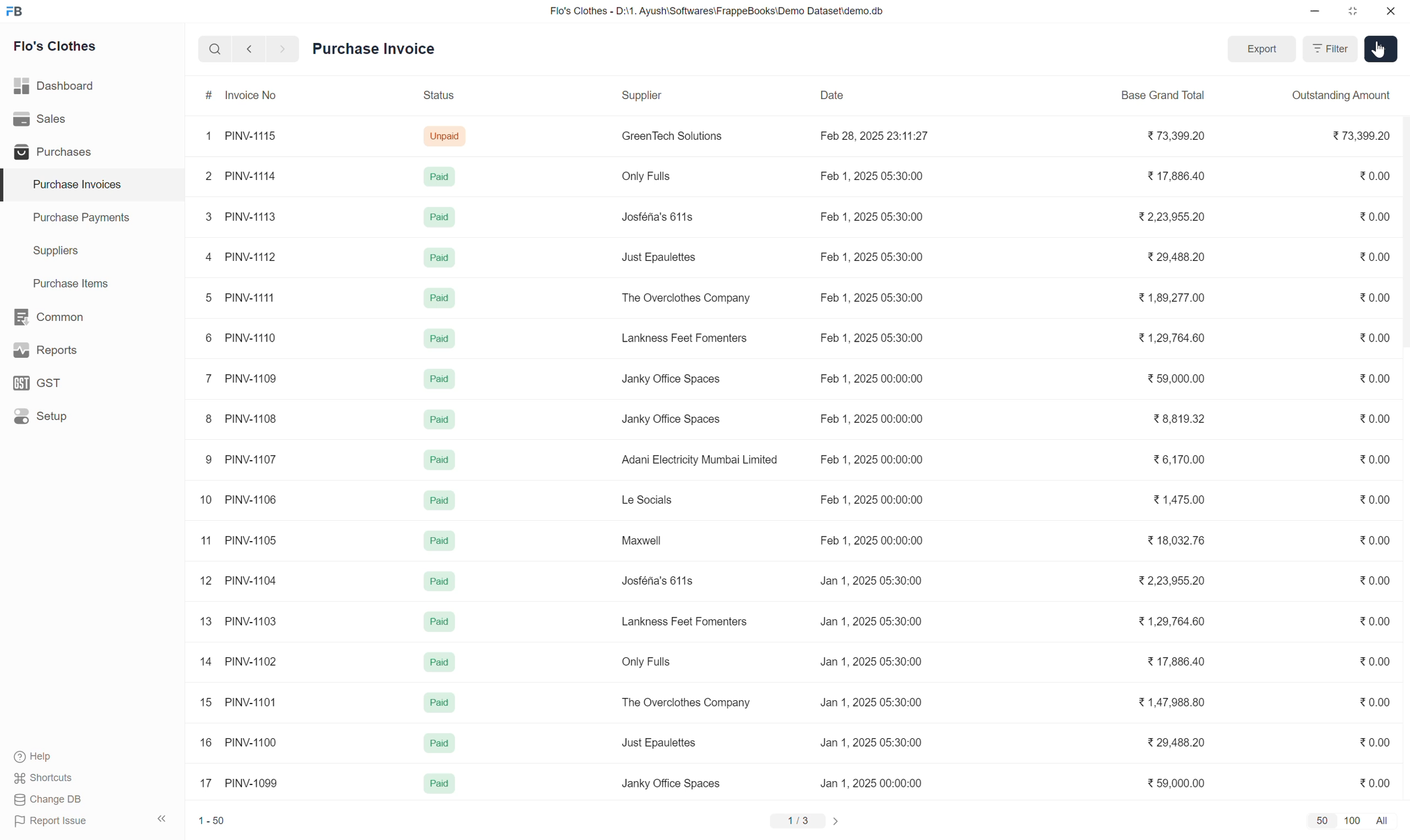 The height and width of the screenshot is (840, 1410). What do you see at coordinates (840, 820) in the screenshot?
I see `next` at bounding box center [840, 820].